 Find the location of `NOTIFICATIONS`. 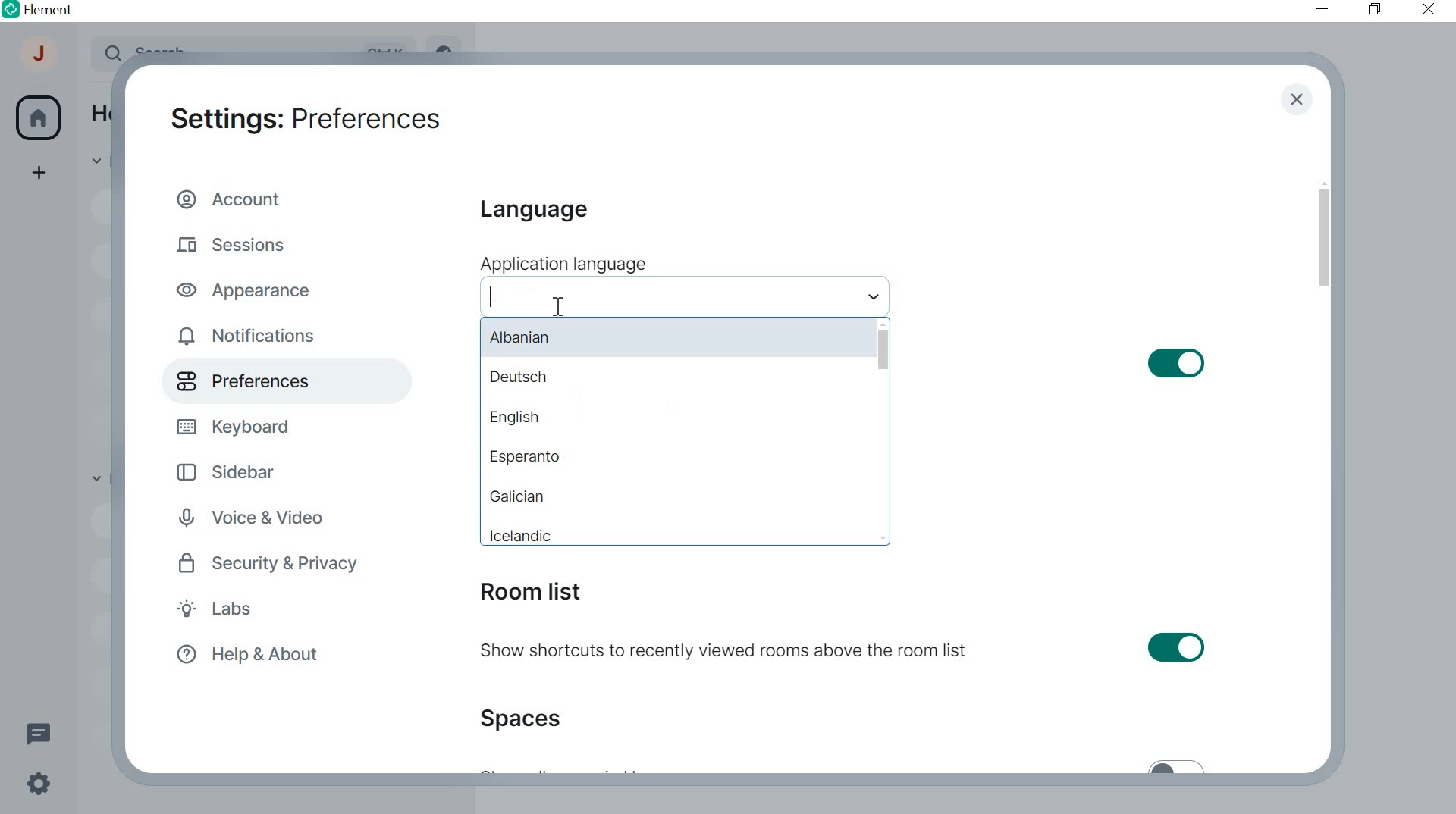

NOTIFICATIONS is located at coordinates (250, 337).